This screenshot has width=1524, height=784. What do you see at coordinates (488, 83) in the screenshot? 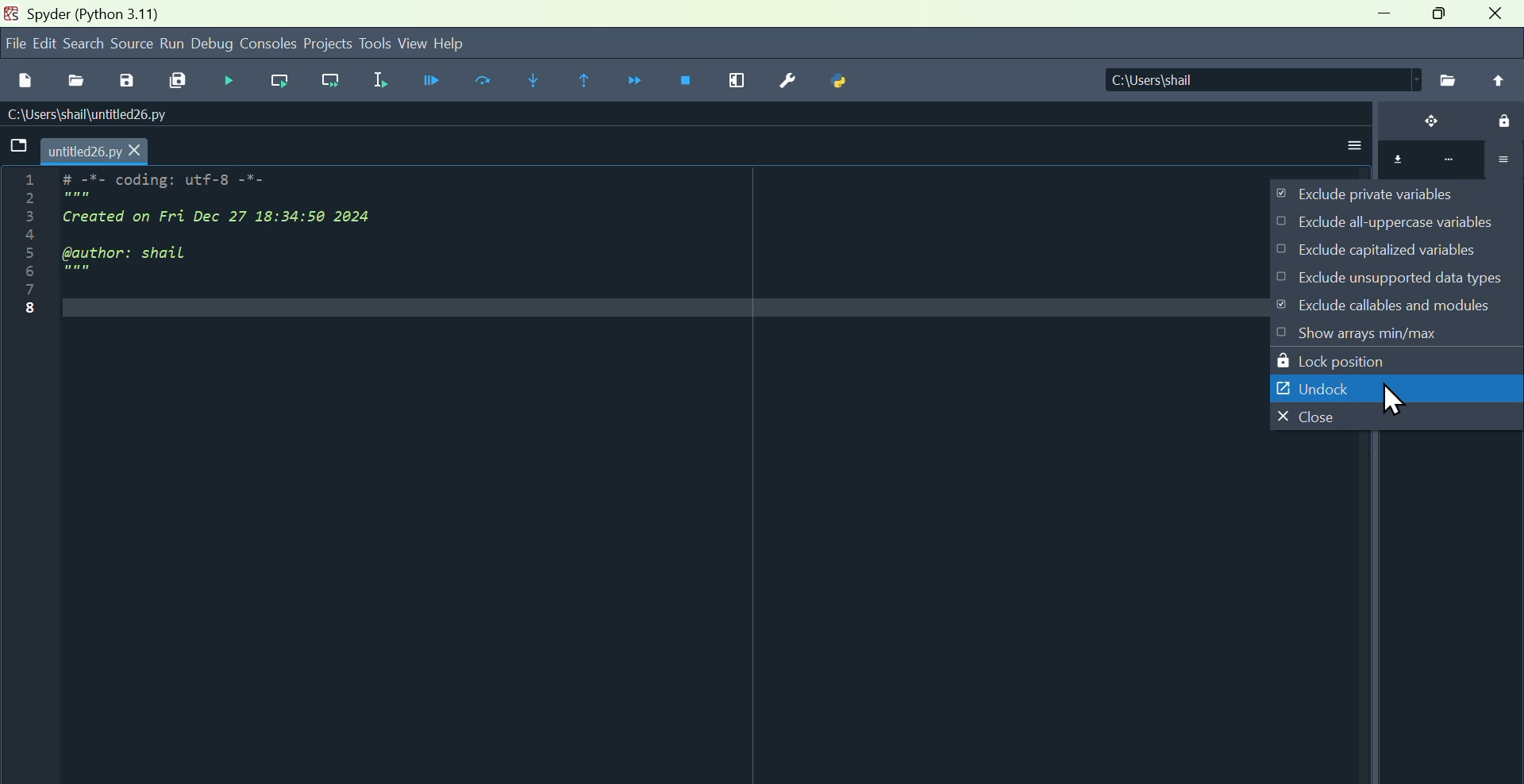
I see `Run cell` at bounding box center [488, 83].